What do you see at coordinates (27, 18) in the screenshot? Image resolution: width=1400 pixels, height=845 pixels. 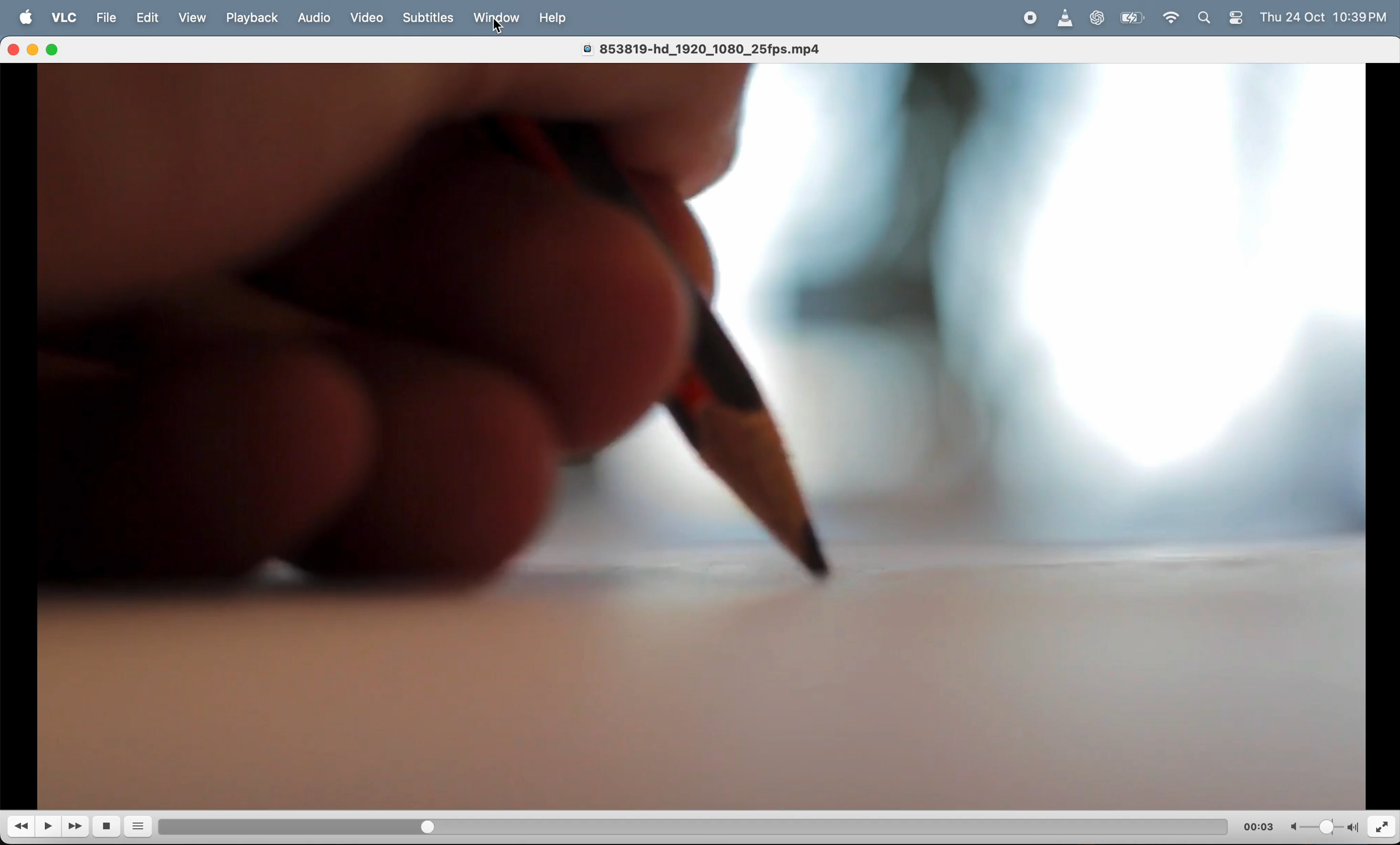 I see `Apple menu` at bounding box center [27, 18].